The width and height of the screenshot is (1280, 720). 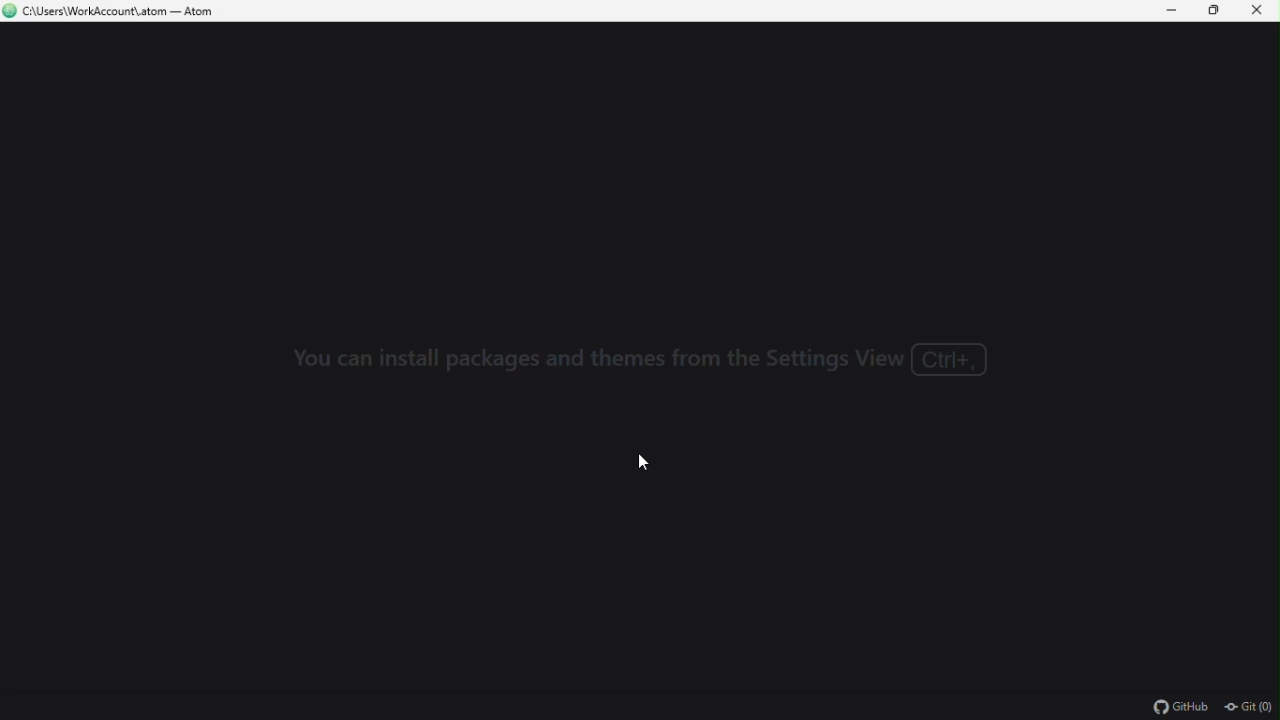 I want to click on git, so click(x=1248, y=709).